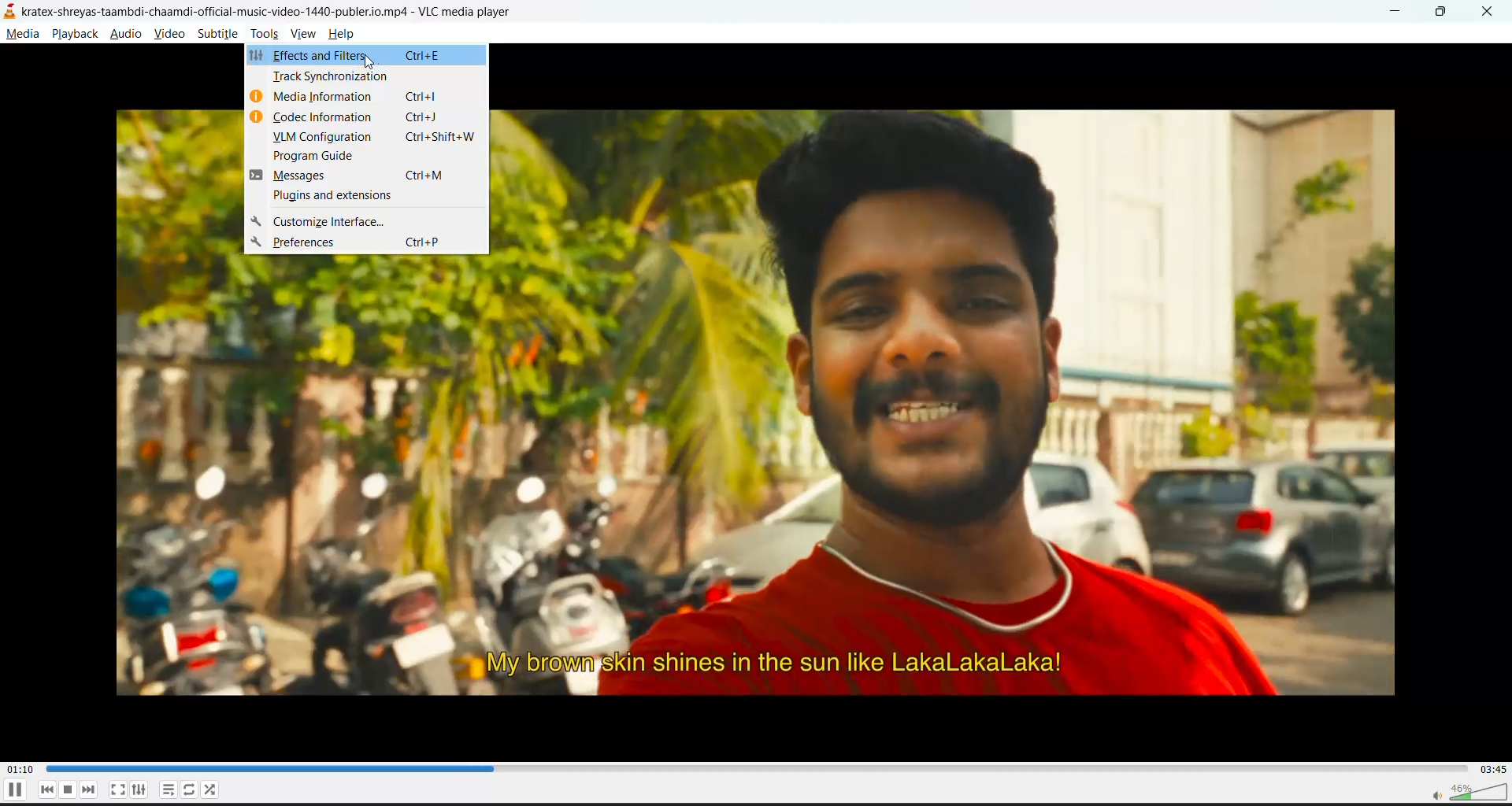 The image size is (1512, 806). What do you see at coordinates (368, 118) in the screenshot?
I see `codec information` at bounding box center [368, 118].